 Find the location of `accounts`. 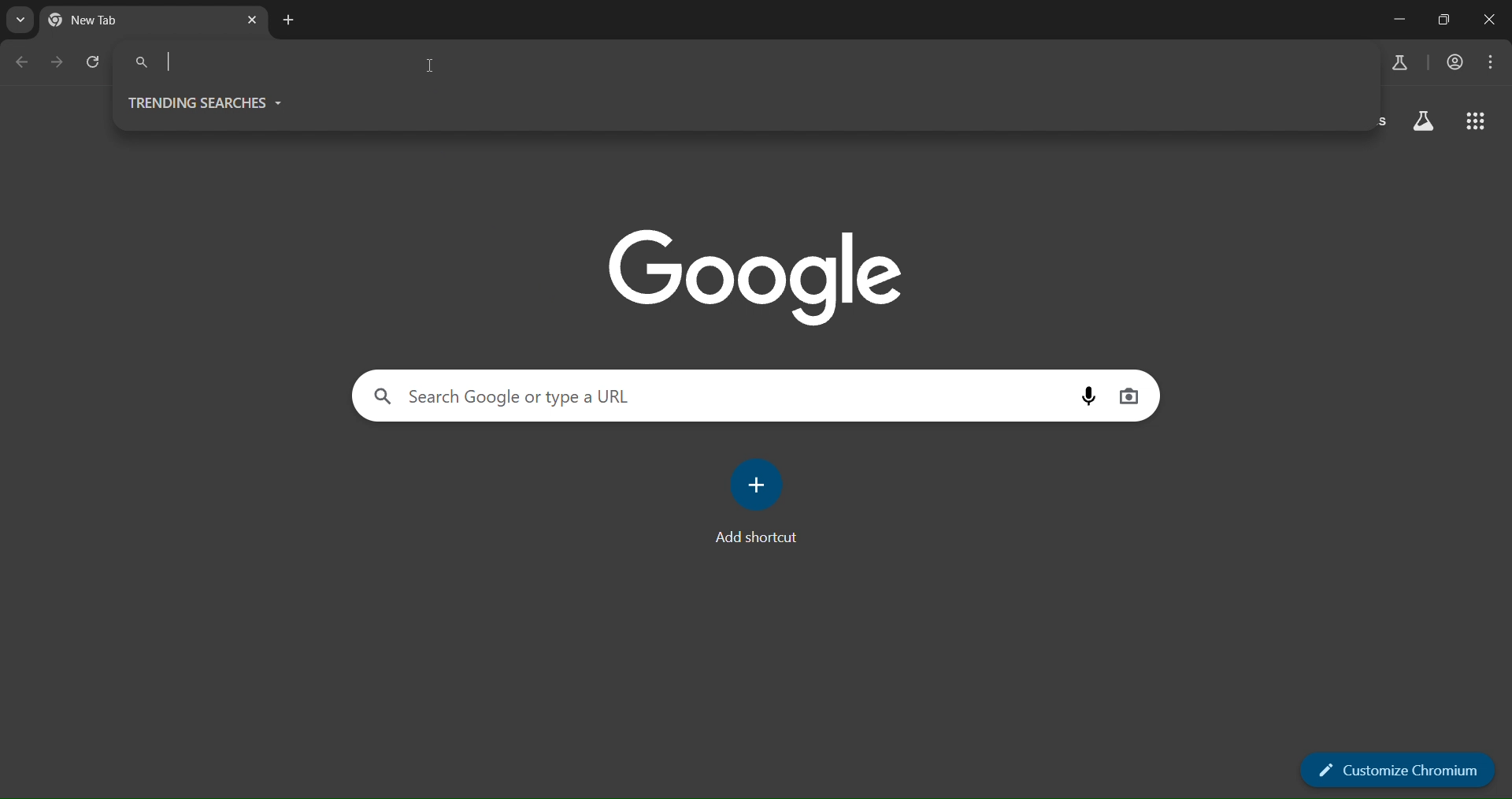

accounts is located at coordinates (1451, 65).